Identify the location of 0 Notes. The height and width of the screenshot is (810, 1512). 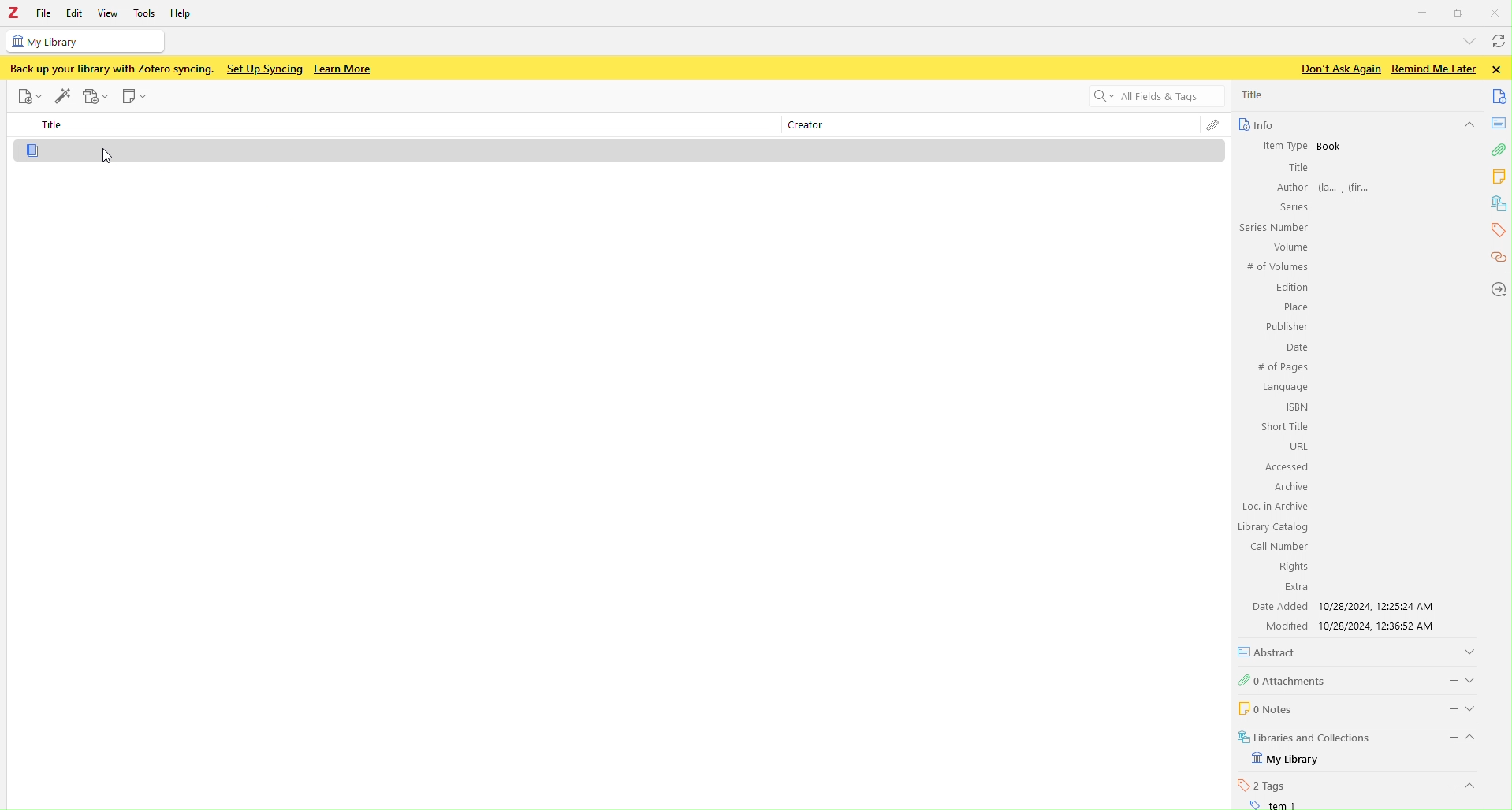
(1264, 708).